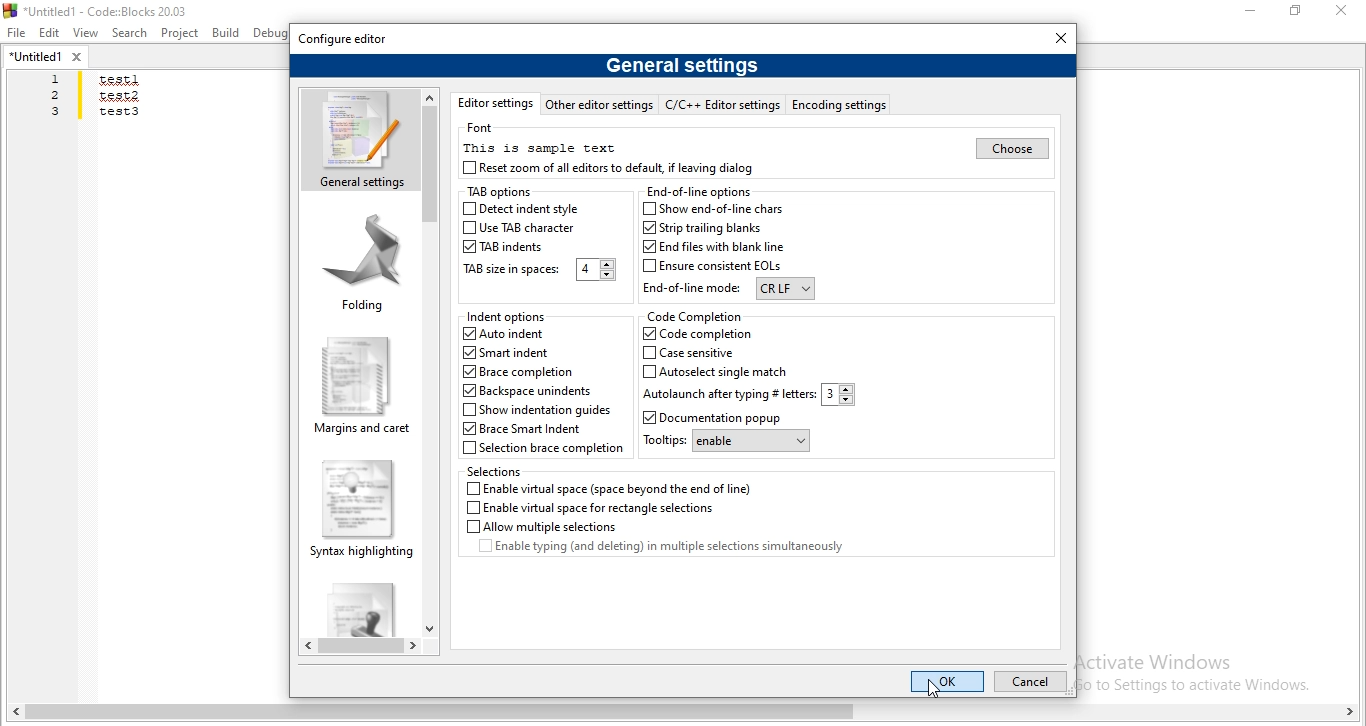 This screenshot has height=726, width=1366. What do you see at coordinates (678, 549) in the screenshot?
I see `Enable typing (and deleting) in multiple selections simultaneously` at bounding box center [678, 549].